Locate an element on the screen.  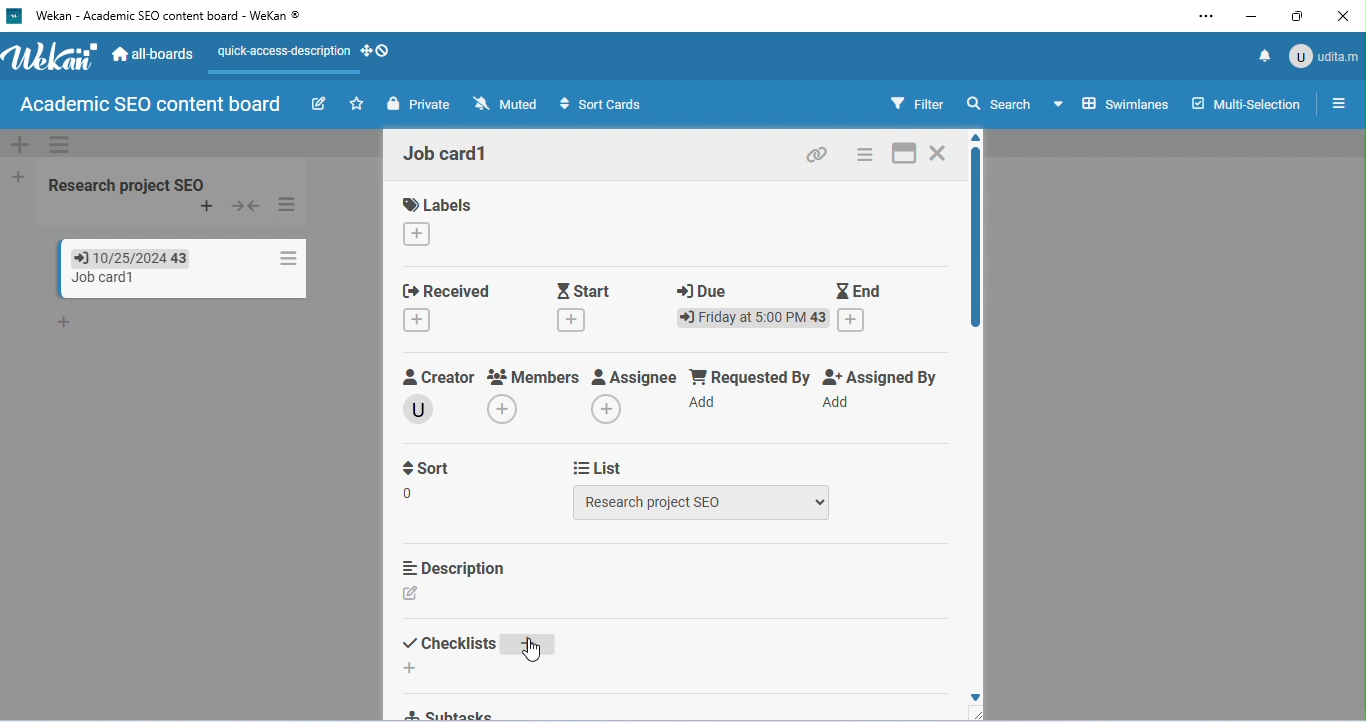
cursor movement is located at coordinates (532, 649).